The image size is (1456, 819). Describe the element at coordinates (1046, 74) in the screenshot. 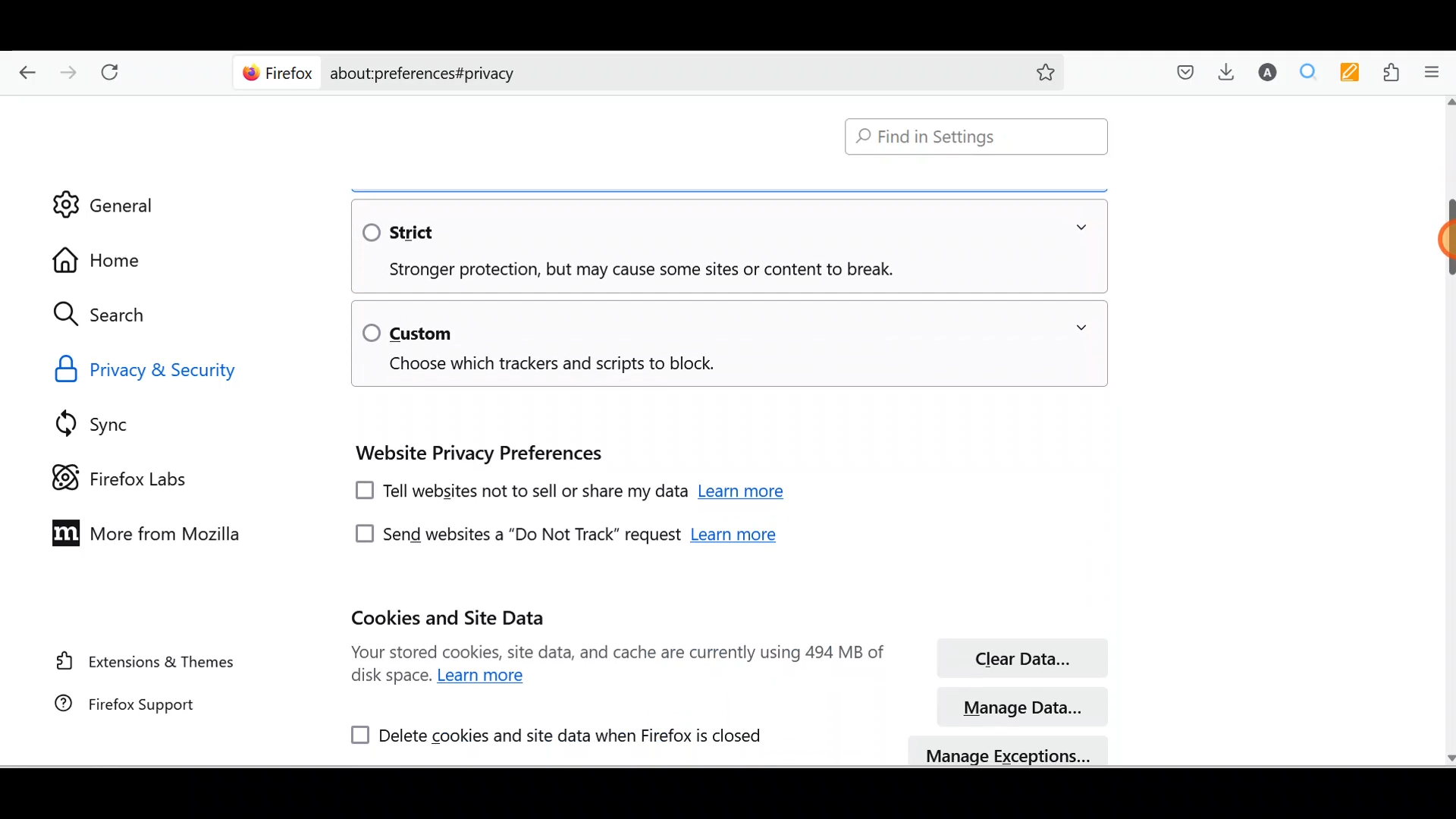

I see `add to favorites` at that location.